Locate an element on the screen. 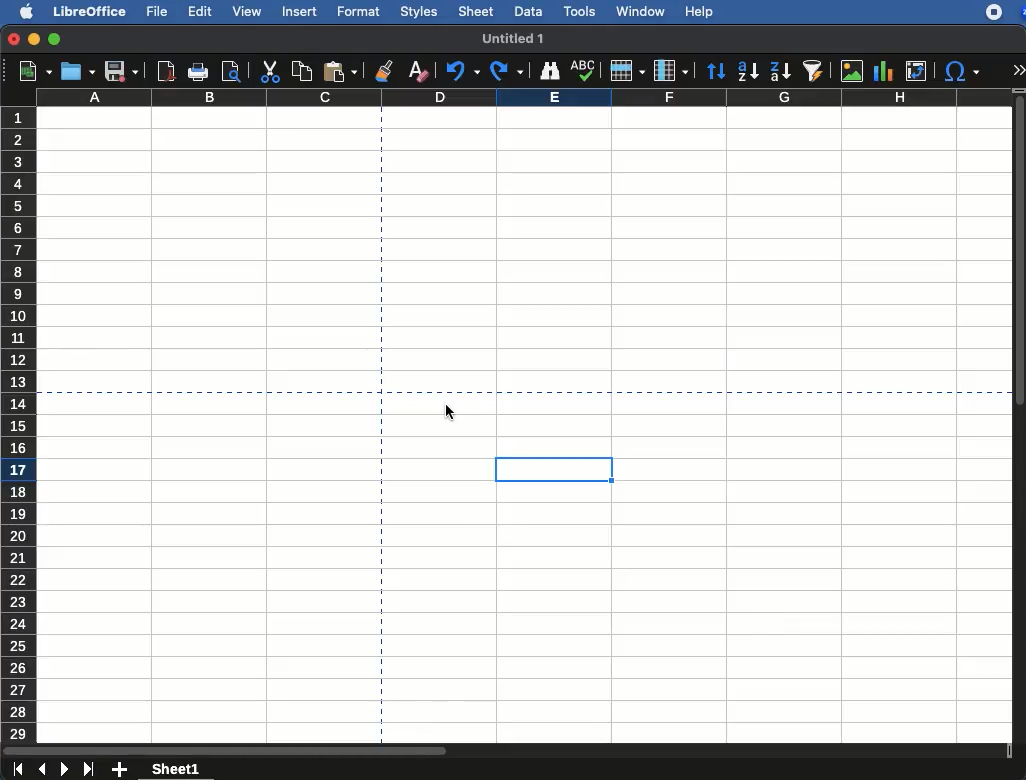 Image resolution: width=1026 pixels, height=780 pixels. last sheet is located at coordinates (17, 770).